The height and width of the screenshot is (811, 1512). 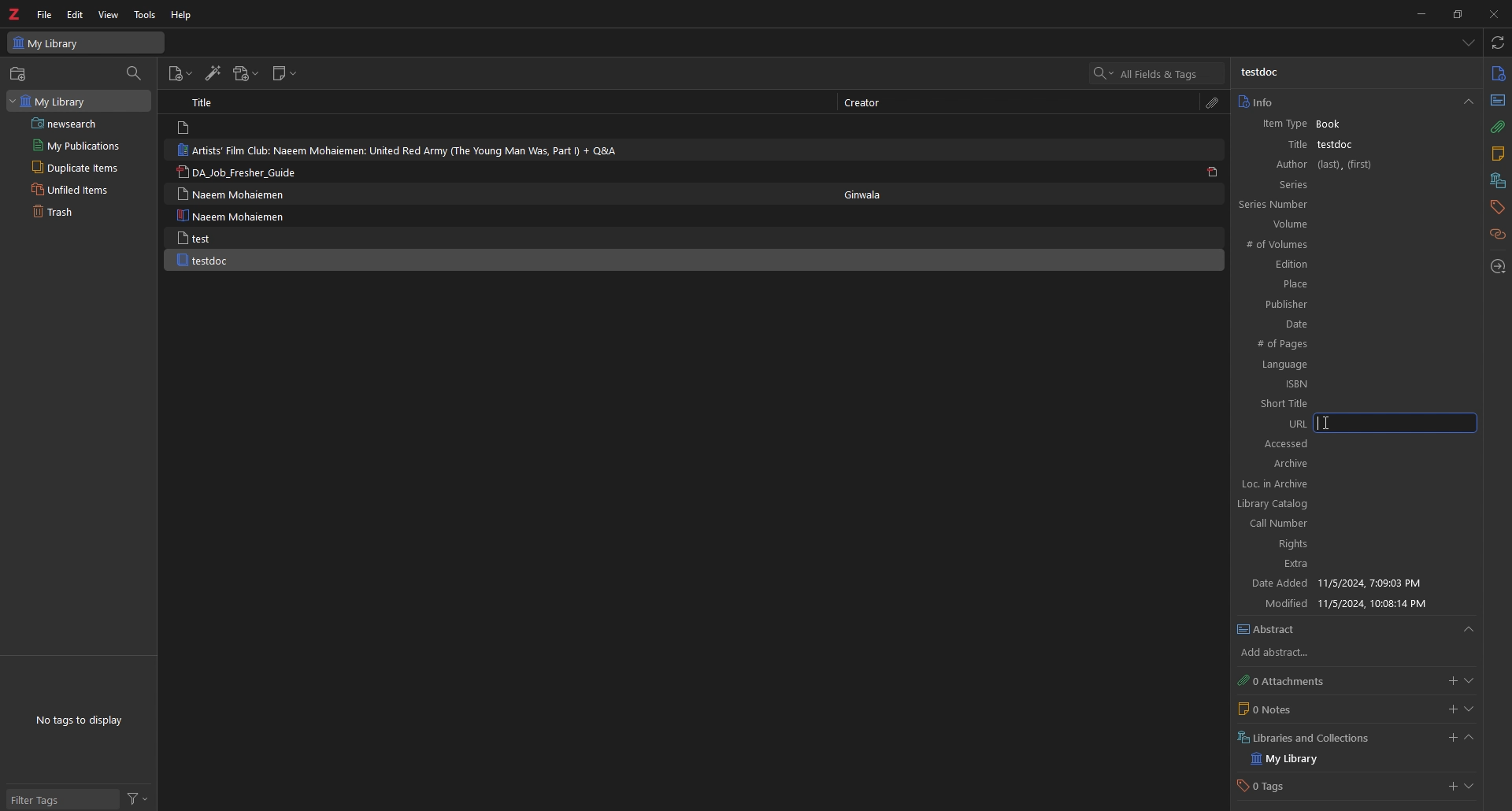 I want to click on logo, so click(x=15, y=14).